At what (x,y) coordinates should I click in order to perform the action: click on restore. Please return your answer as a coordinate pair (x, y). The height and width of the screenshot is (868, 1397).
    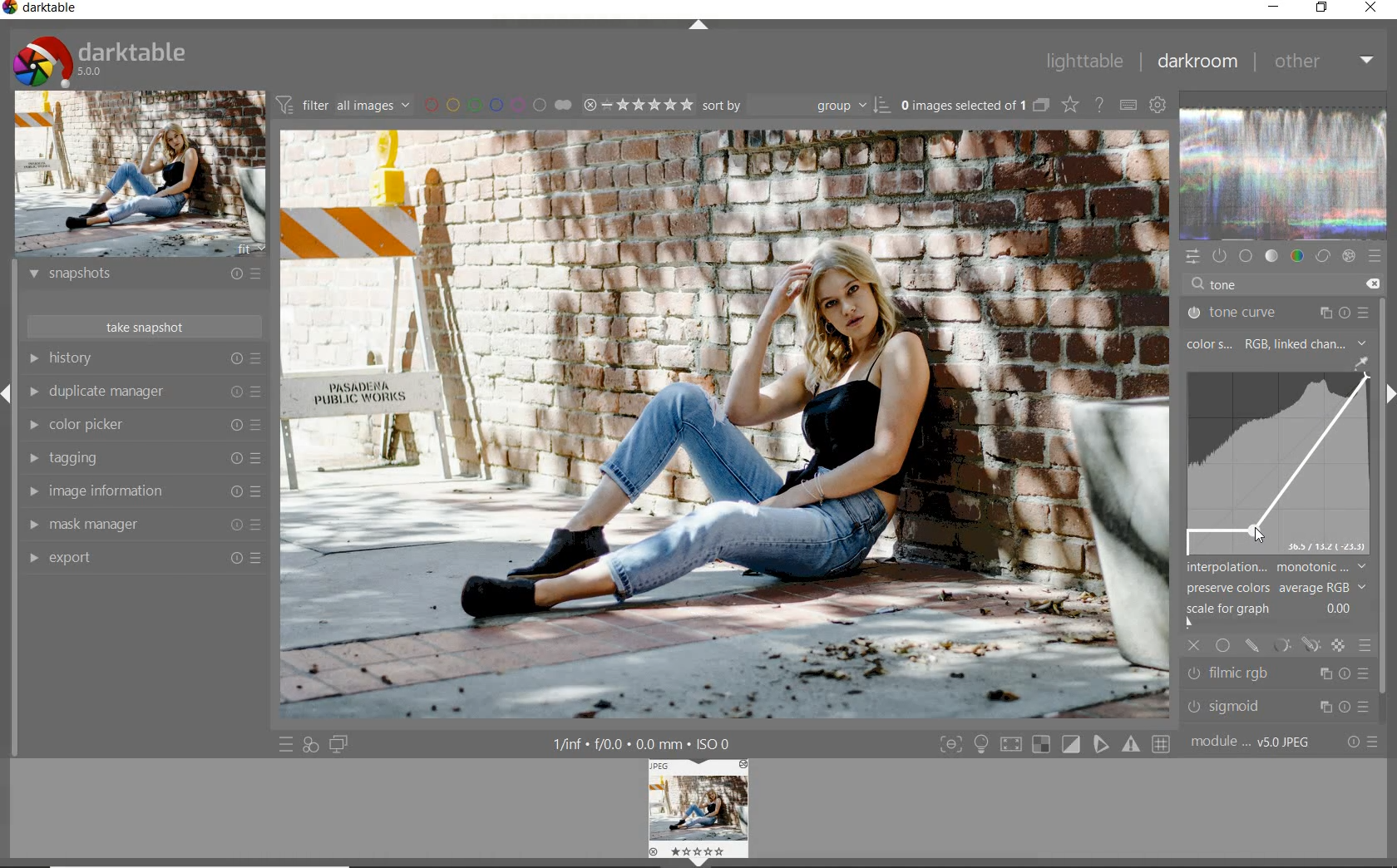
    Looking at the image, I should click on (1322, 8).